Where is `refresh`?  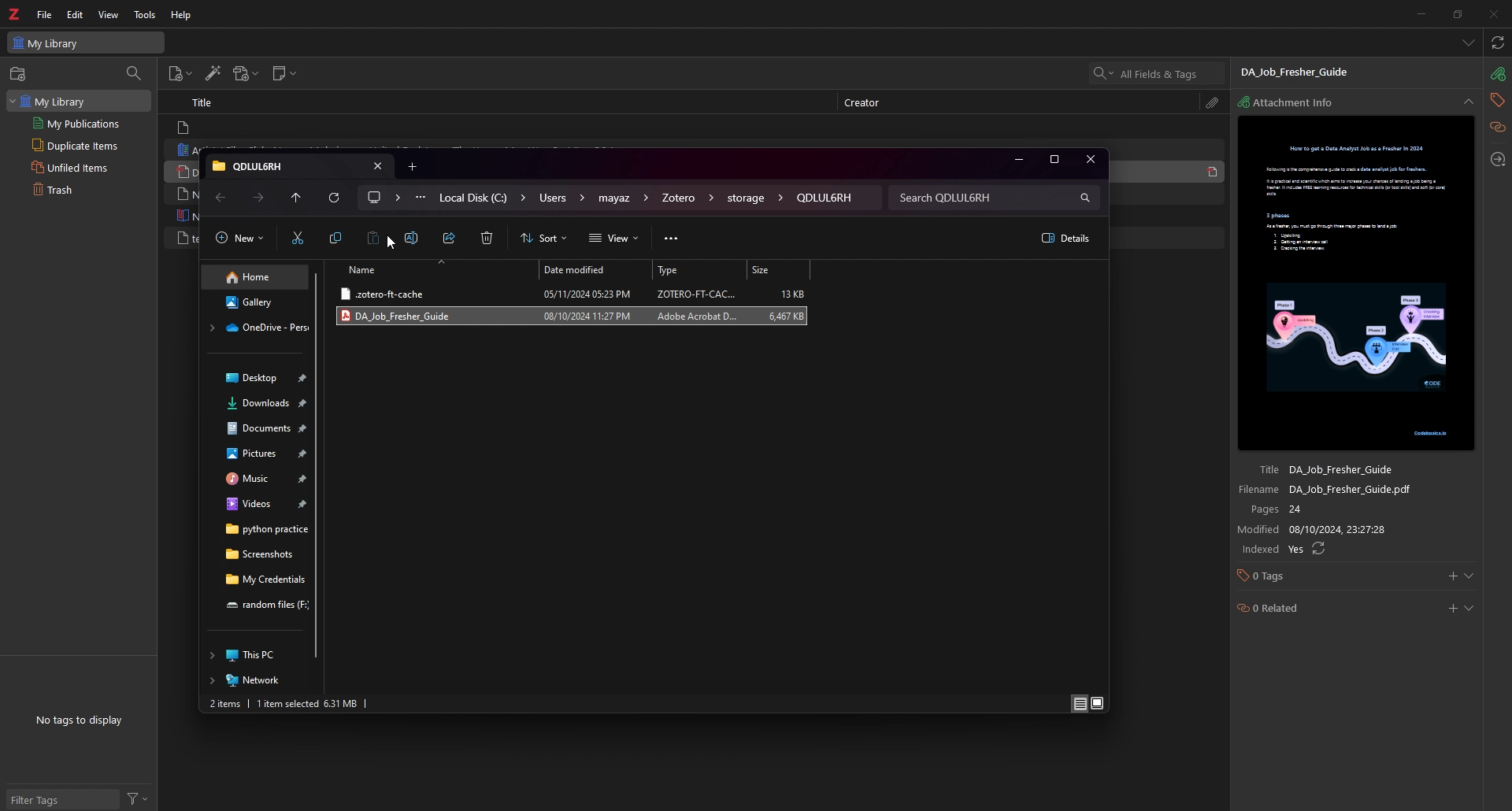 refresh is located at coordinates (337, 198).